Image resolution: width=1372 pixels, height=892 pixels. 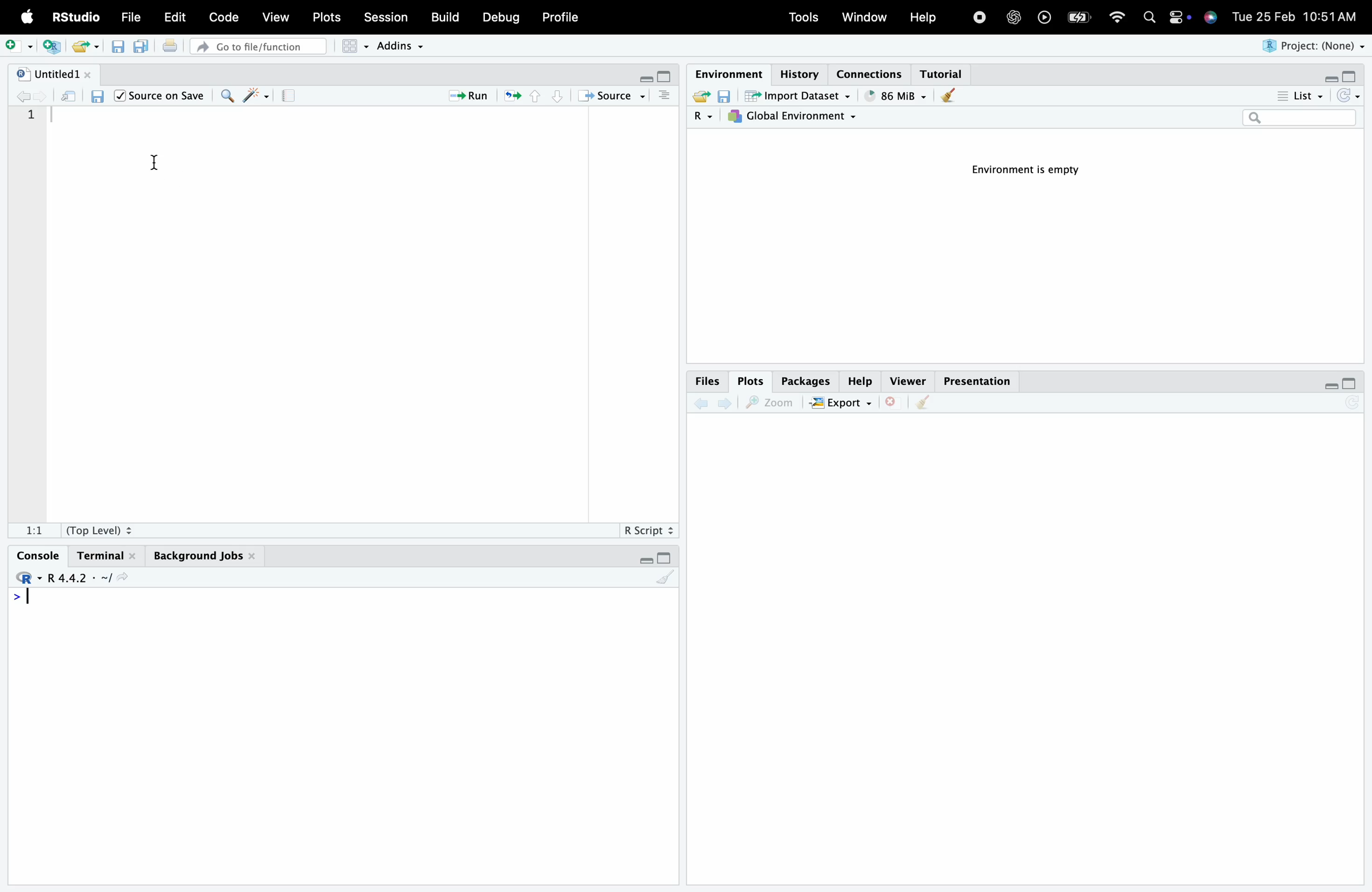 What do you see at coordinates (54, 47) in the screenshot?
I see `new script` at bounding box center [54, 47].